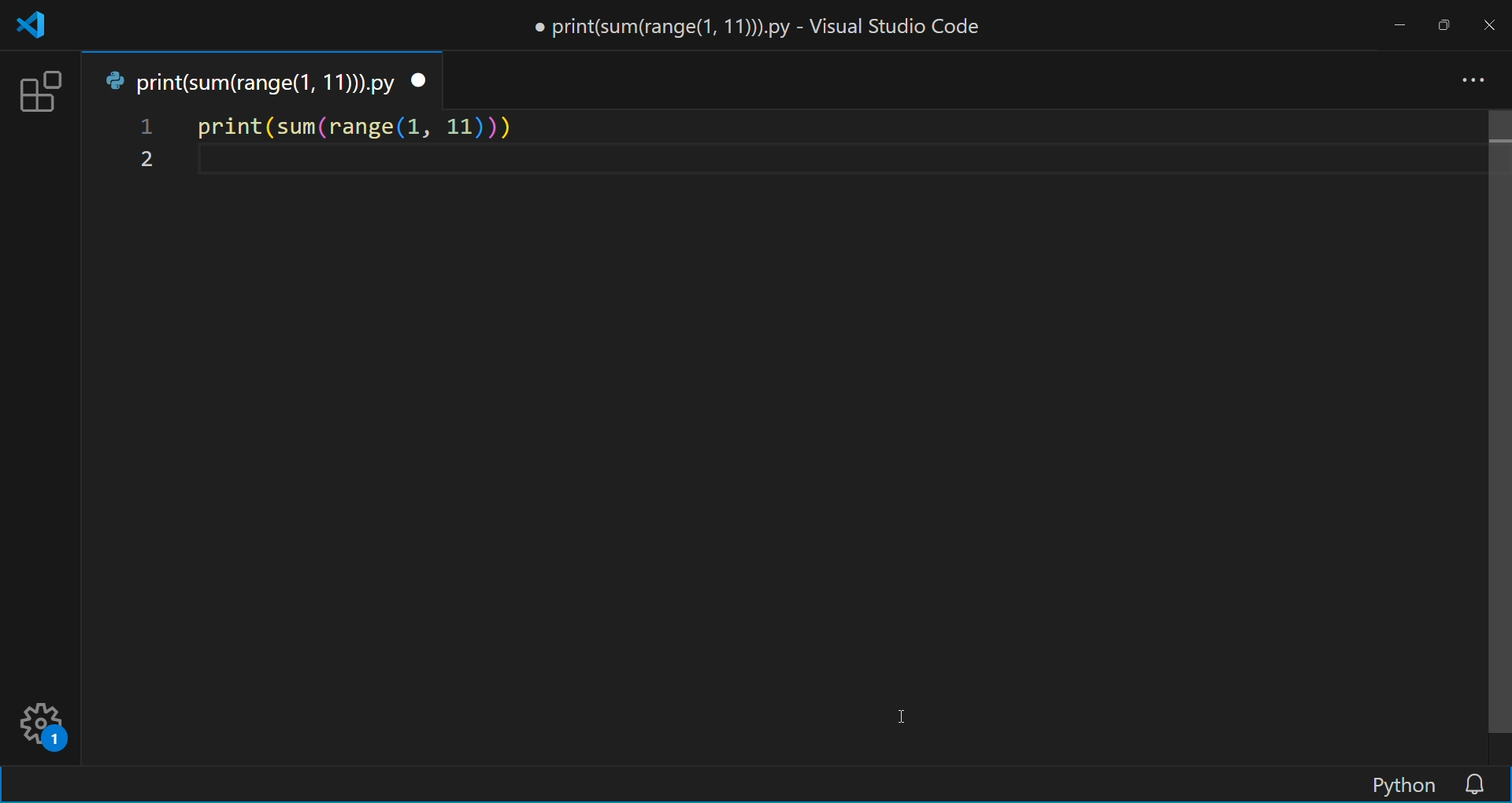 The image size is (1512, 803). What do you see at coordinates (420, 81) in the screenshot?
I see `close tab` at bounding box center [420, 81].